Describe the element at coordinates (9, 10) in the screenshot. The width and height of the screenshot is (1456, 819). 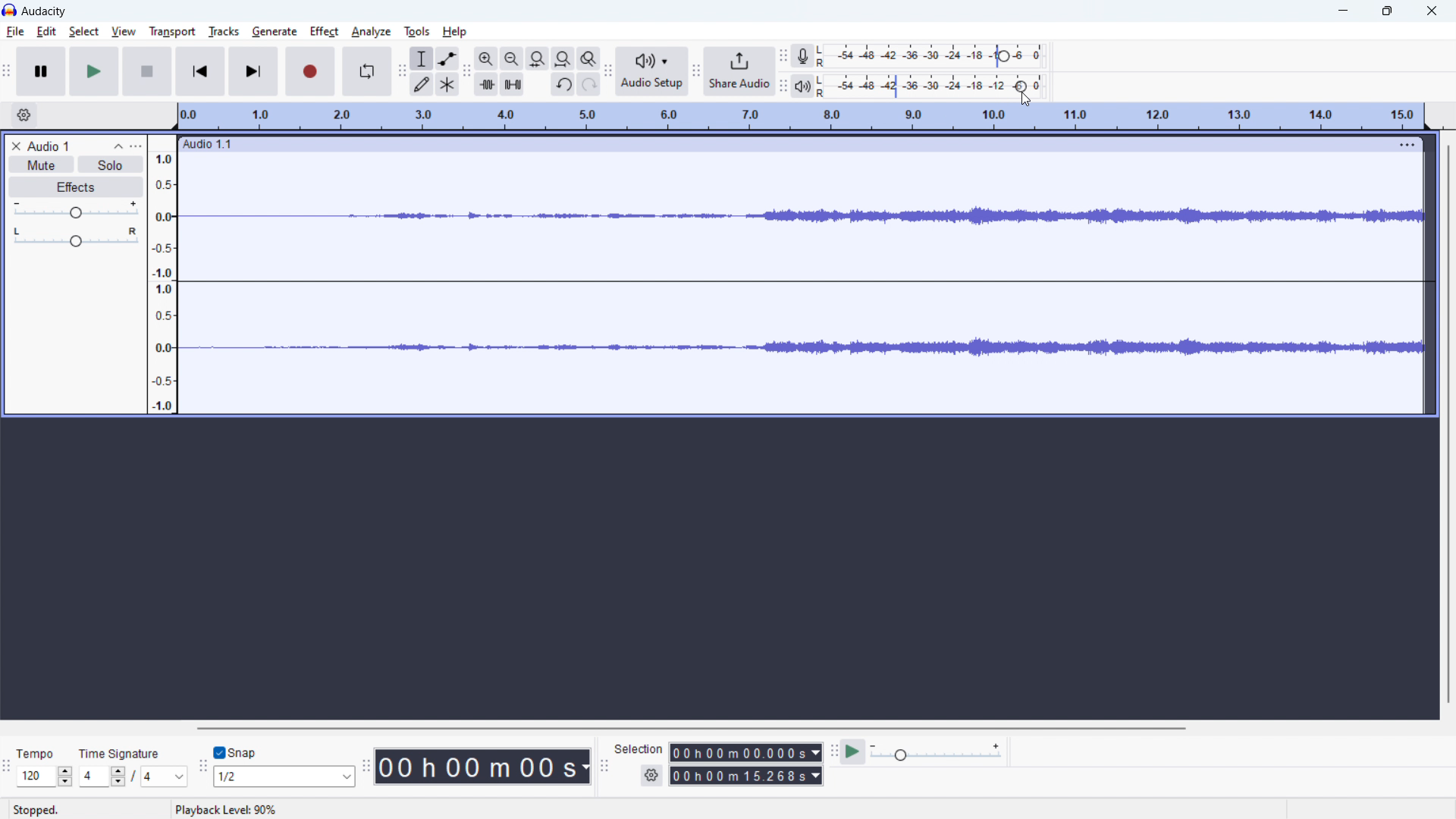
I see `logo` at that location.